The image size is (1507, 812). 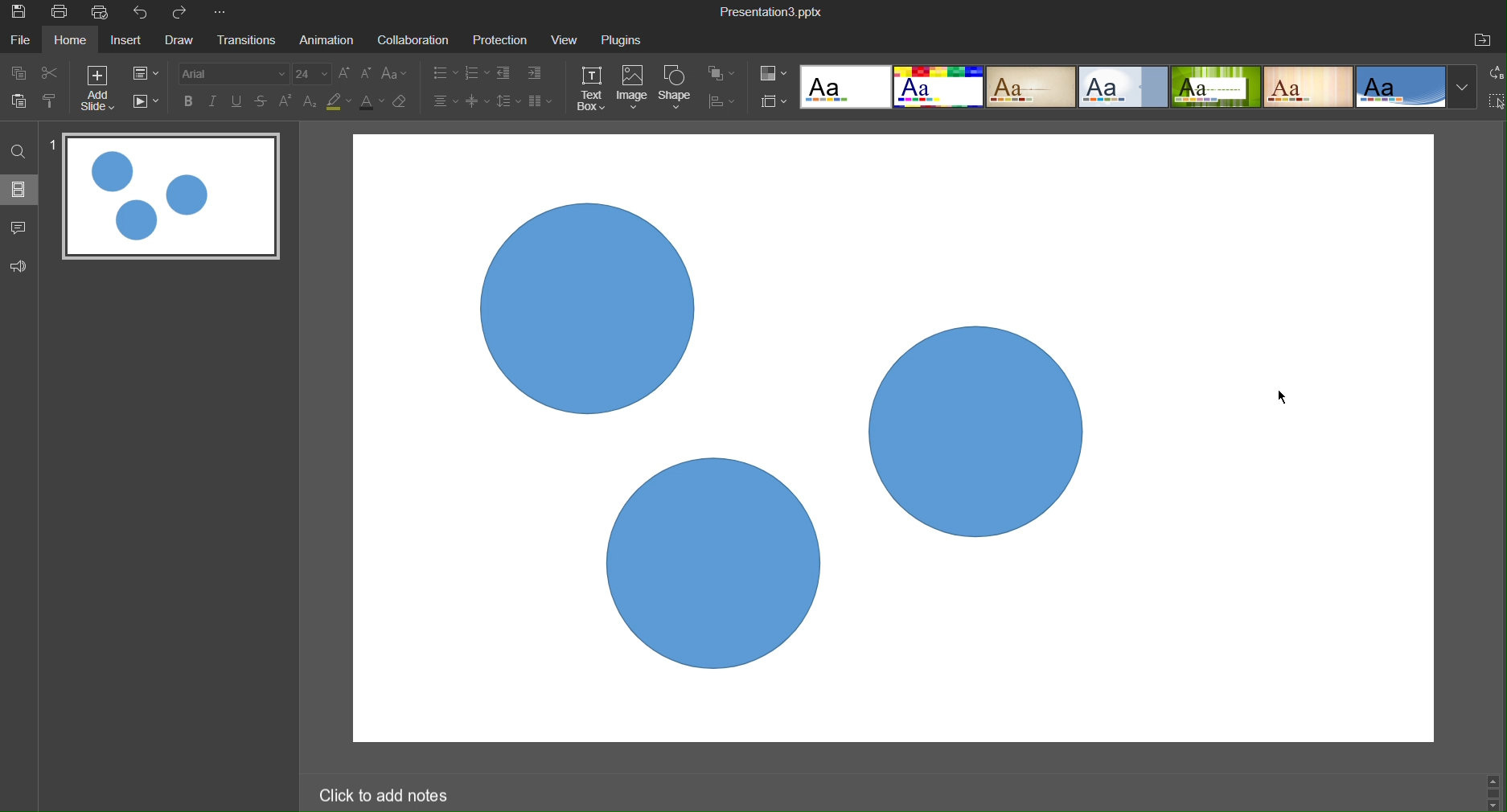 I want to click on Scroll down , so click(x=1494, y=806).